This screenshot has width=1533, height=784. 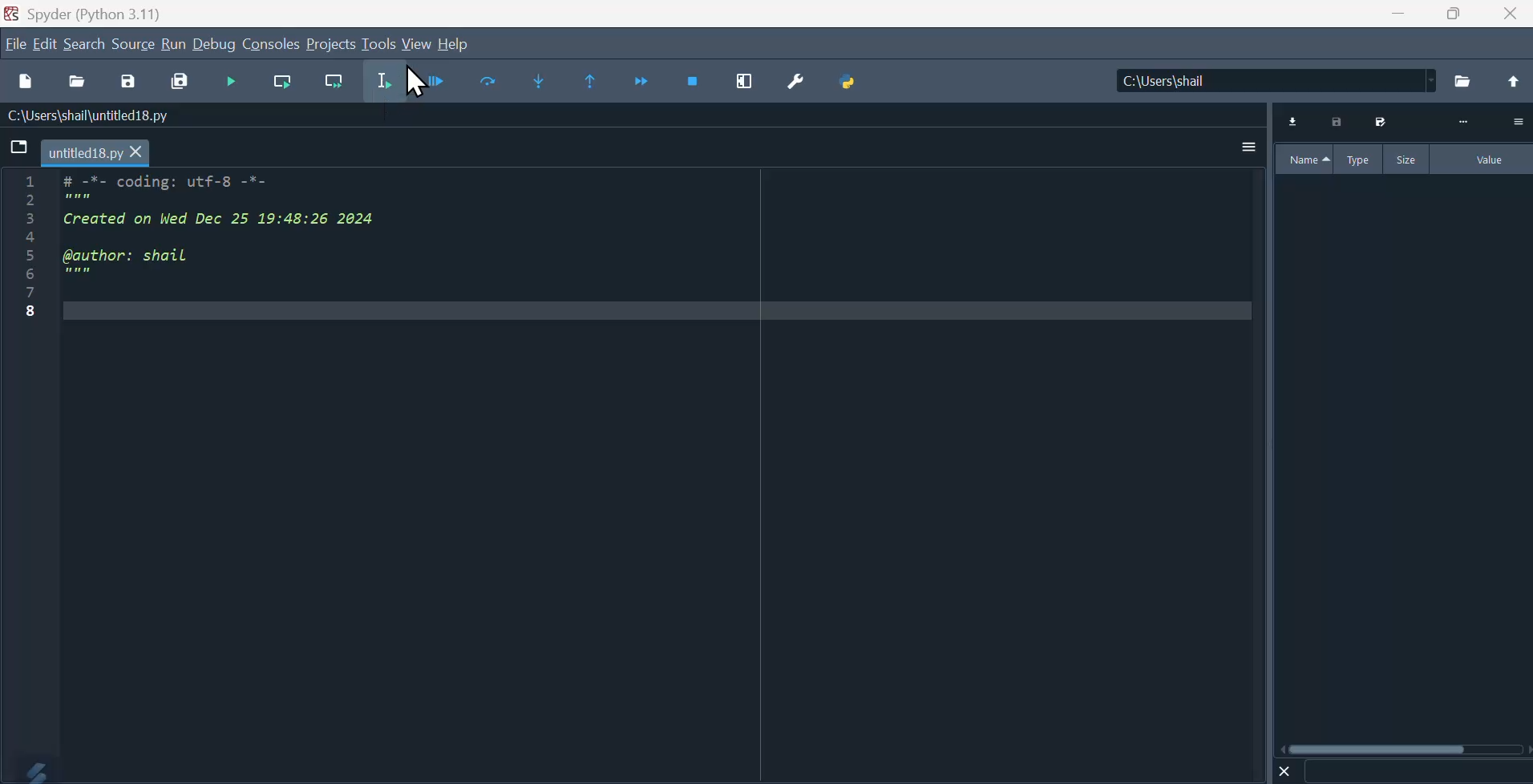 I want to click on Run cell, so click(x=229, y=83).